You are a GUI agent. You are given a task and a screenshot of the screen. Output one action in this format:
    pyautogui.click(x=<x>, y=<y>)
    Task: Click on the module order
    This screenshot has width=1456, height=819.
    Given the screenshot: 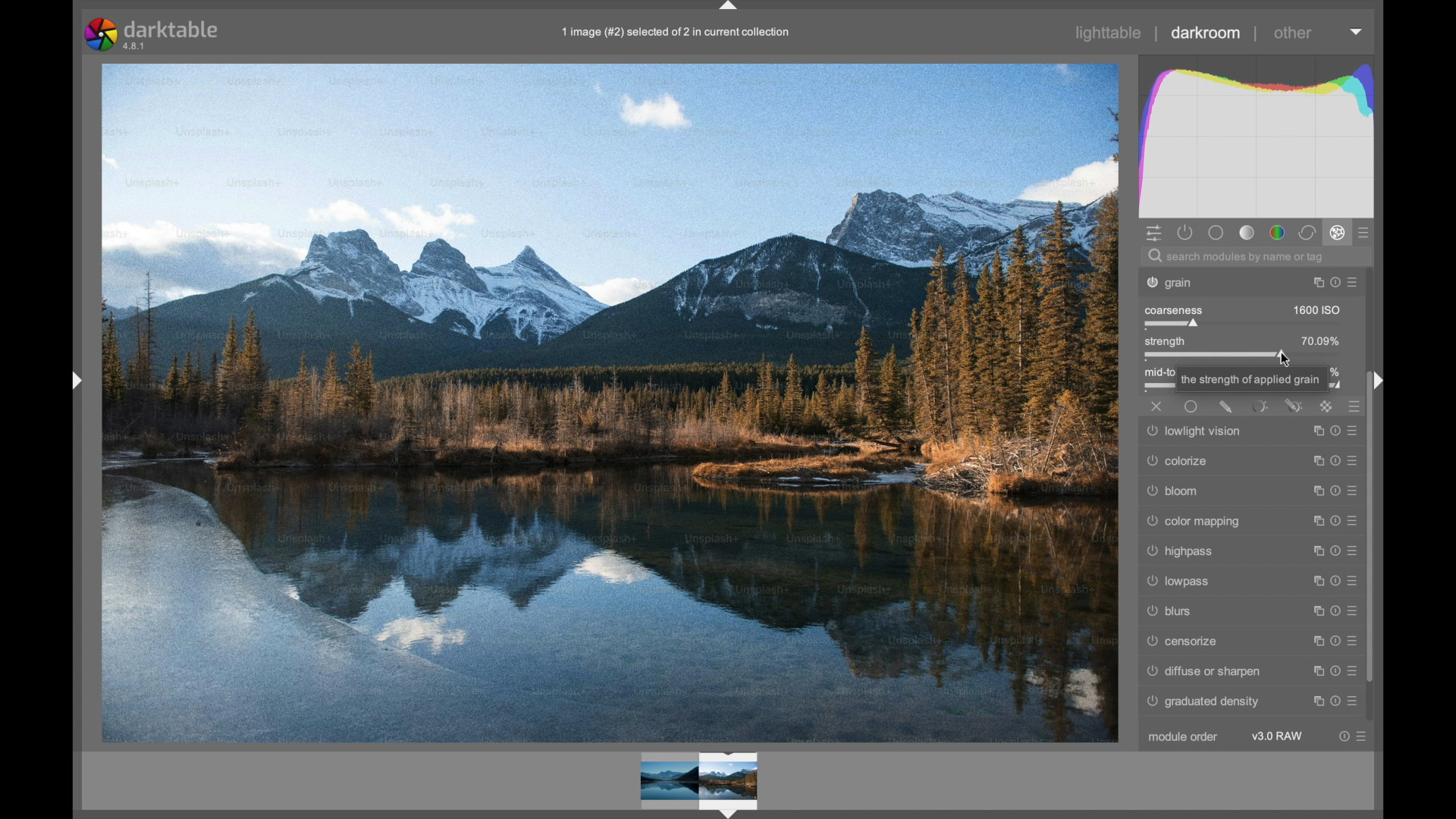 What is the action you would take?
    pyautogui.click(x=1182, y=738)
    